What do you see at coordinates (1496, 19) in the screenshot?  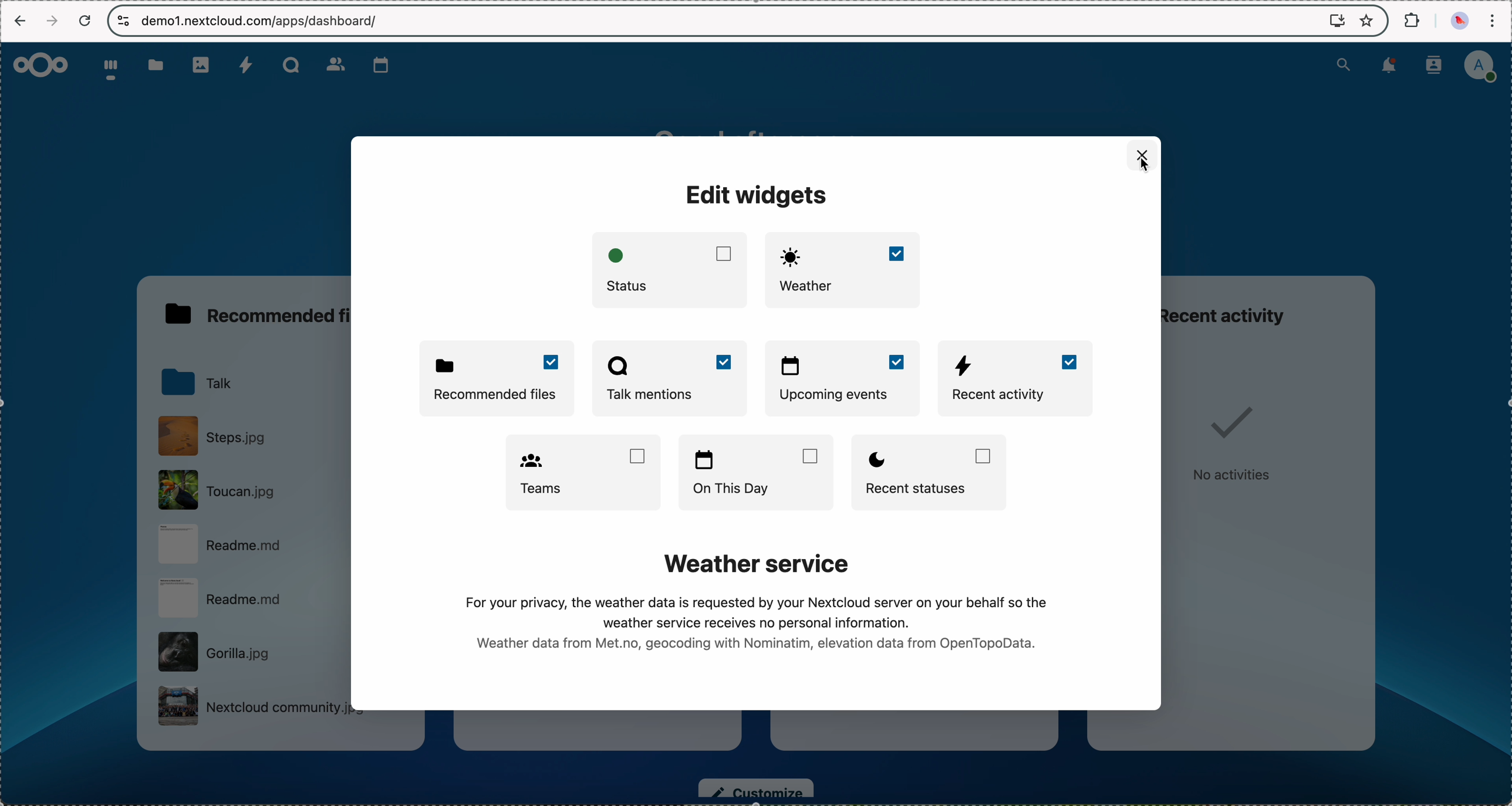 I see `customize and control Google Chrome` at bounding box center [1496, 19].